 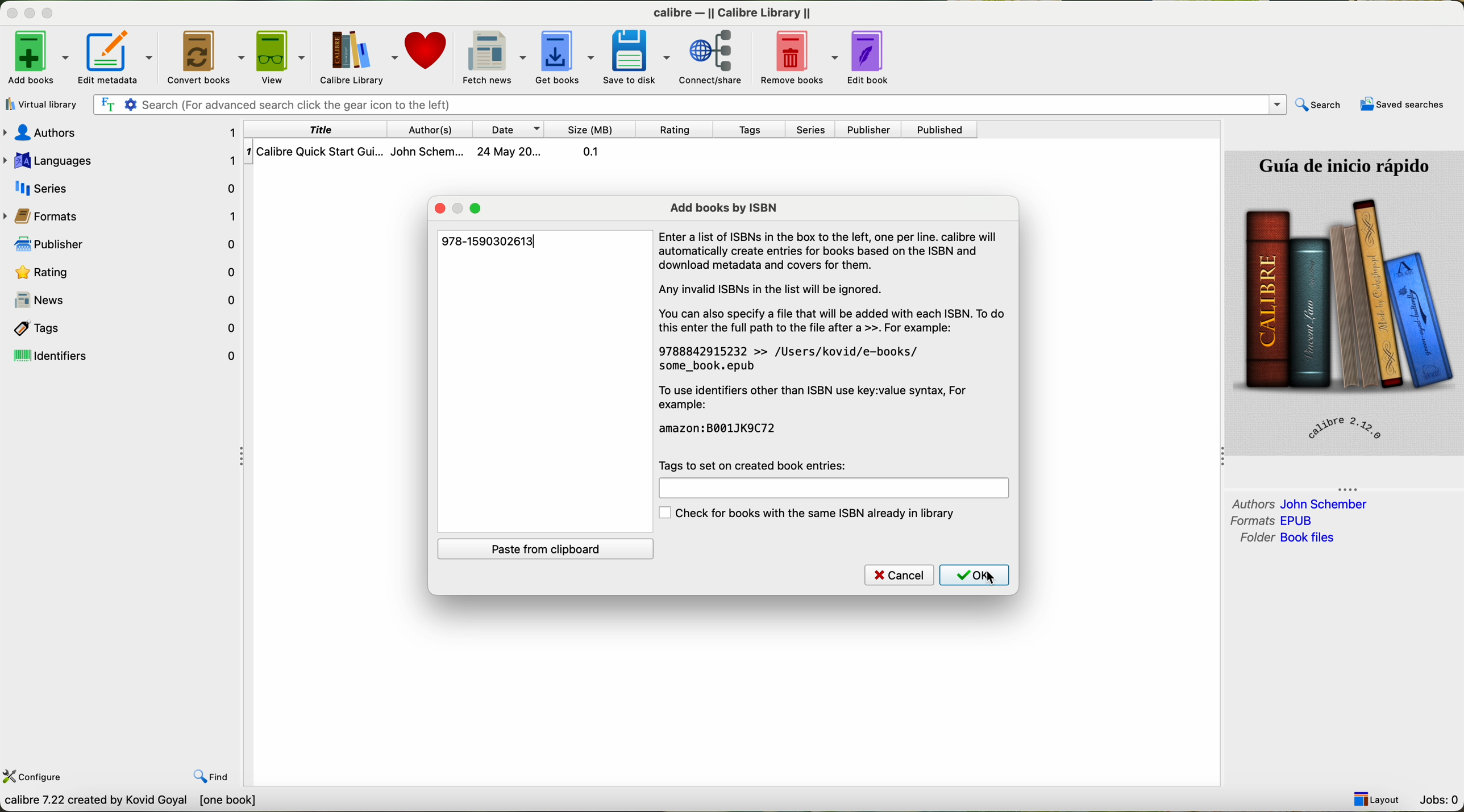 What do you see at coordinates (123, 188) in the screenshot?
I see `series` at bounding box center [123, 188].